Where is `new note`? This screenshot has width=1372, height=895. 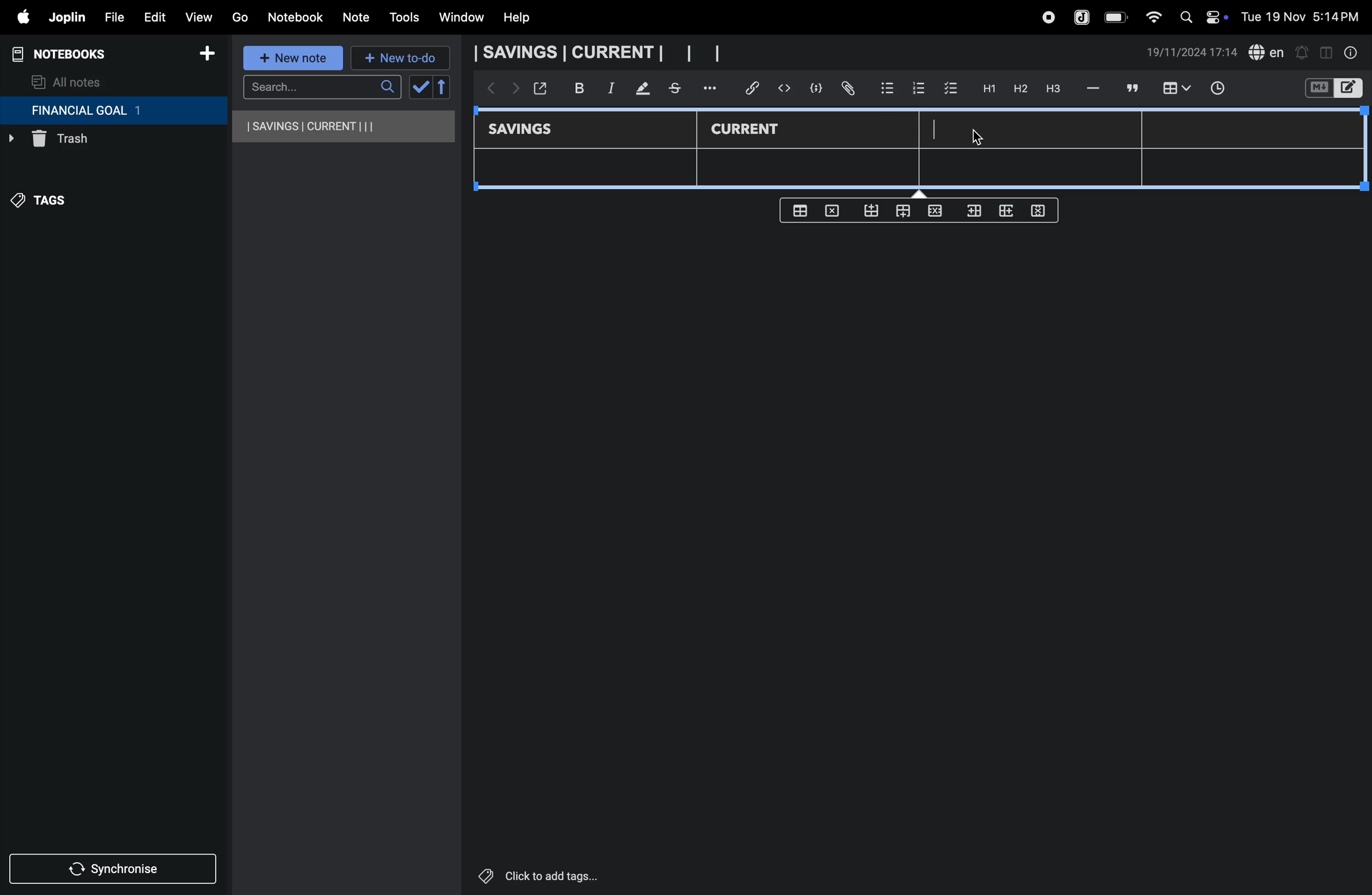 new note is located at coordinates (295, 59).